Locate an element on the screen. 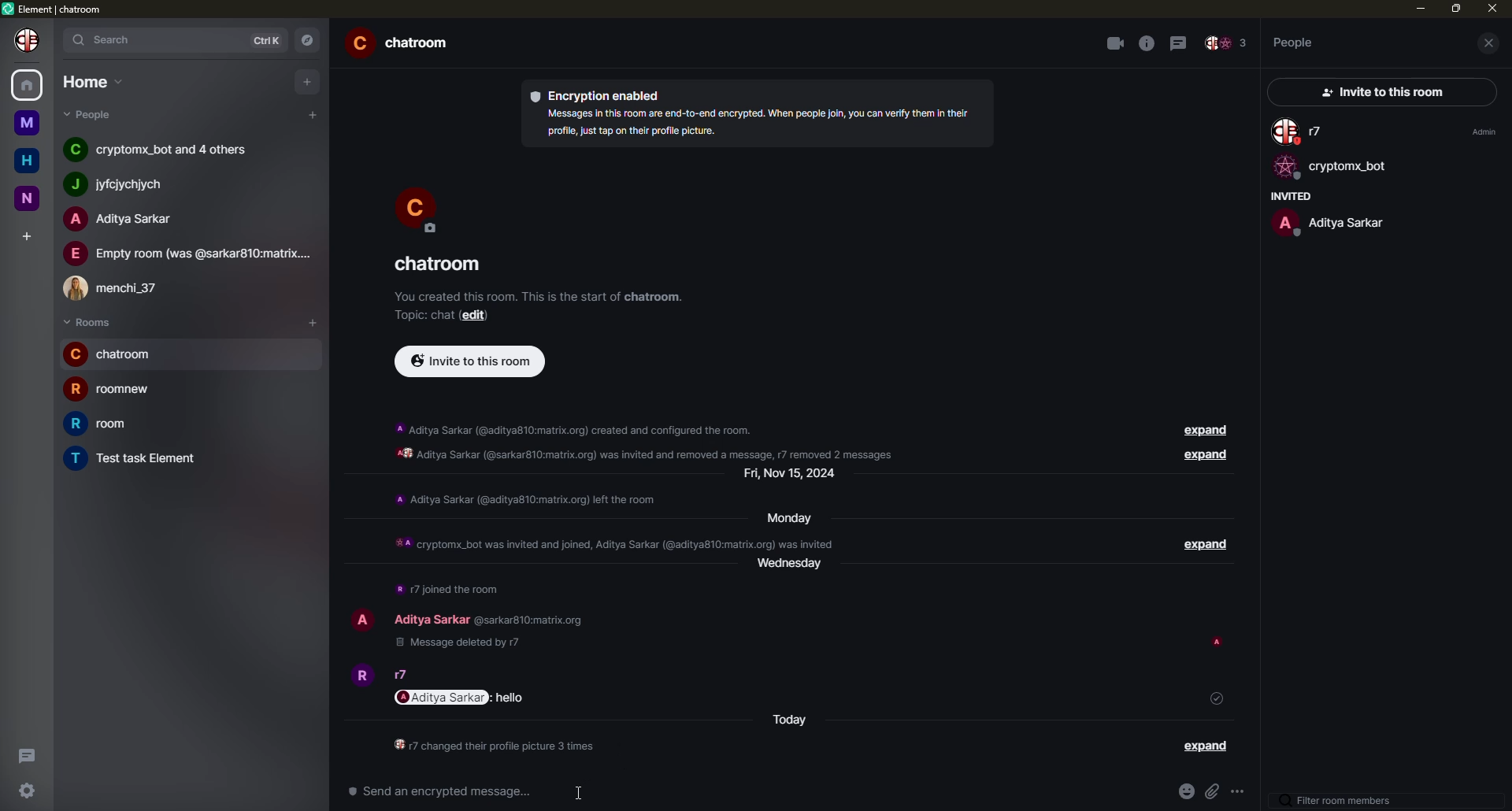 Image resolution: width=1512 pixels, height=811 pixels. add is located at coordinates (317, 321).